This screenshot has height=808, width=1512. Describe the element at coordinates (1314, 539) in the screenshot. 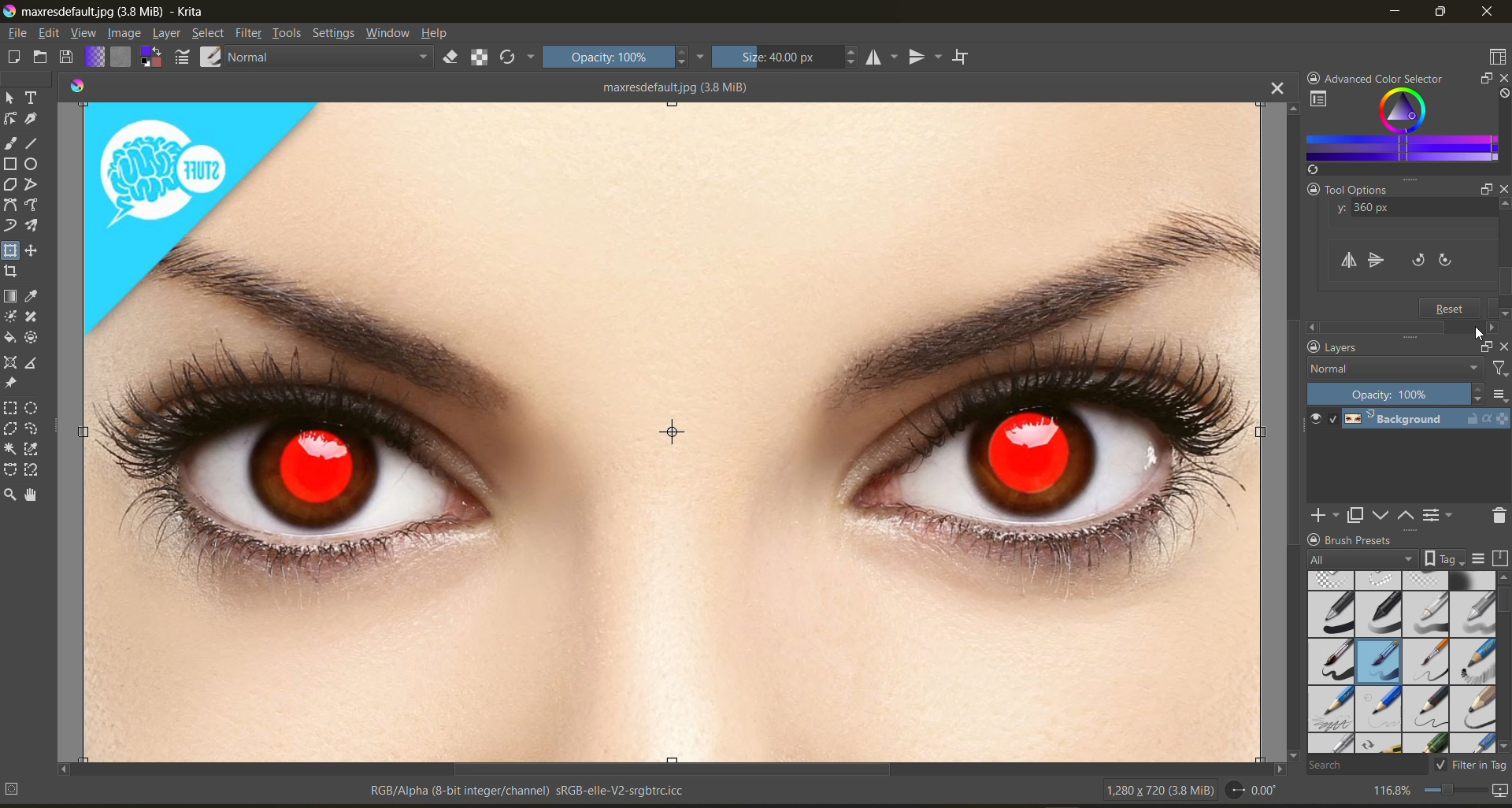

I see `lock docker` at that location.